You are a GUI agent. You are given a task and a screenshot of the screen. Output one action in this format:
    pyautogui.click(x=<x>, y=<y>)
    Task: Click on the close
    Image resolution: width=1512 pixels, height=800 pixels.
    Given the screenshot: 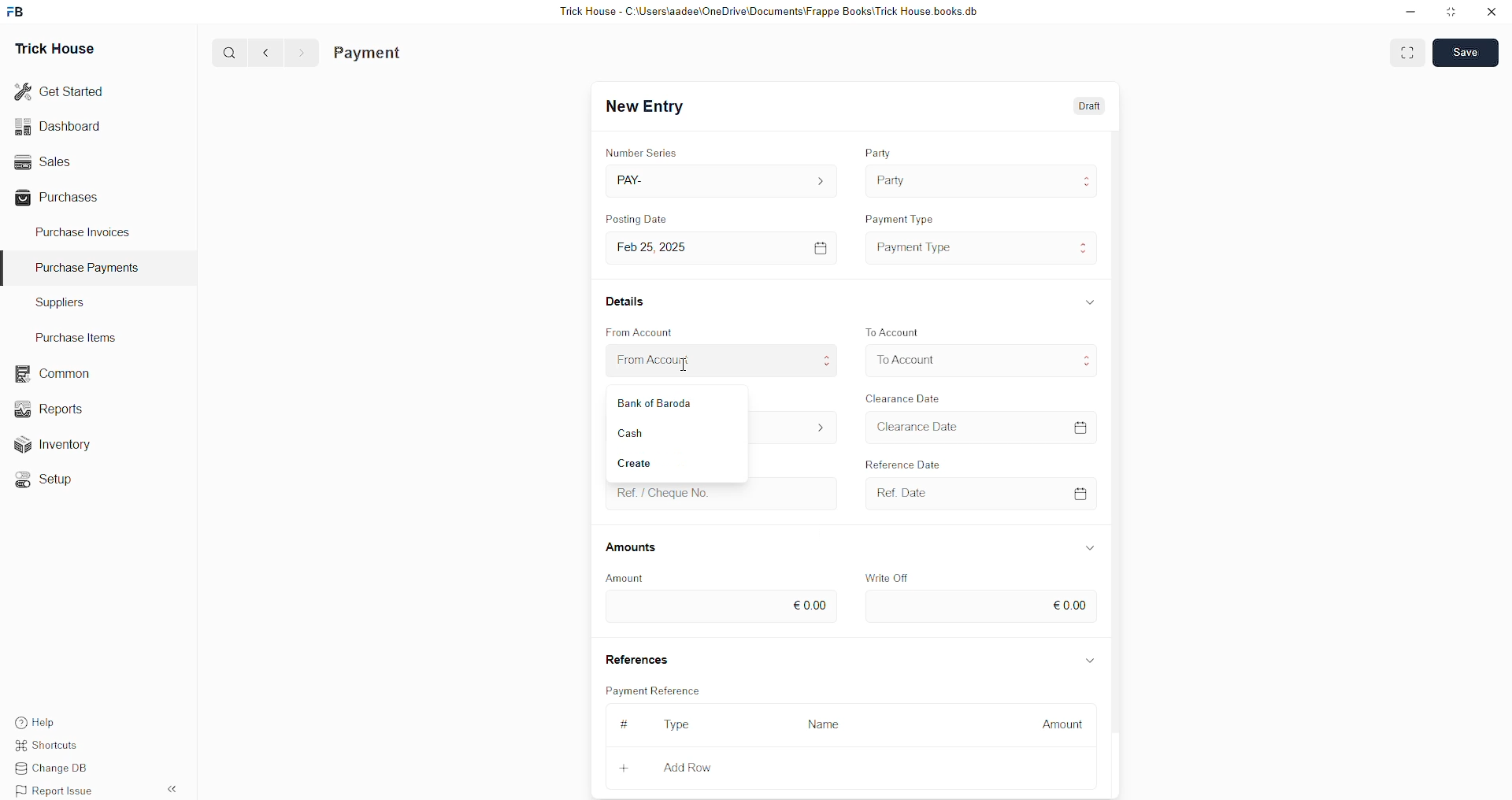 What is the action you would take?
    pyautogui.click(x=1492, y=12)
    